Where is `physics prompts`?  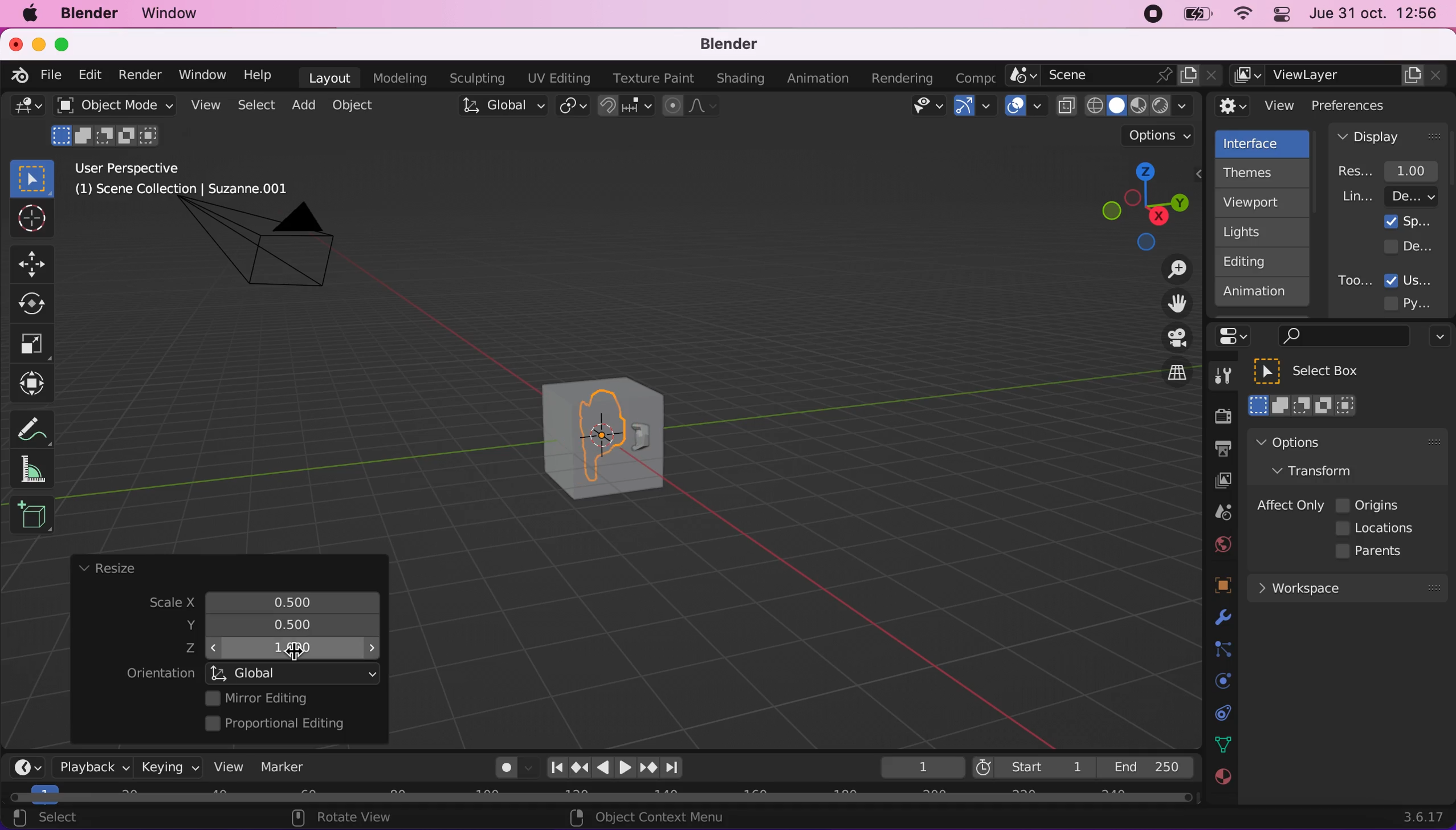
physics prompts is located at coordinates (1216, 682).